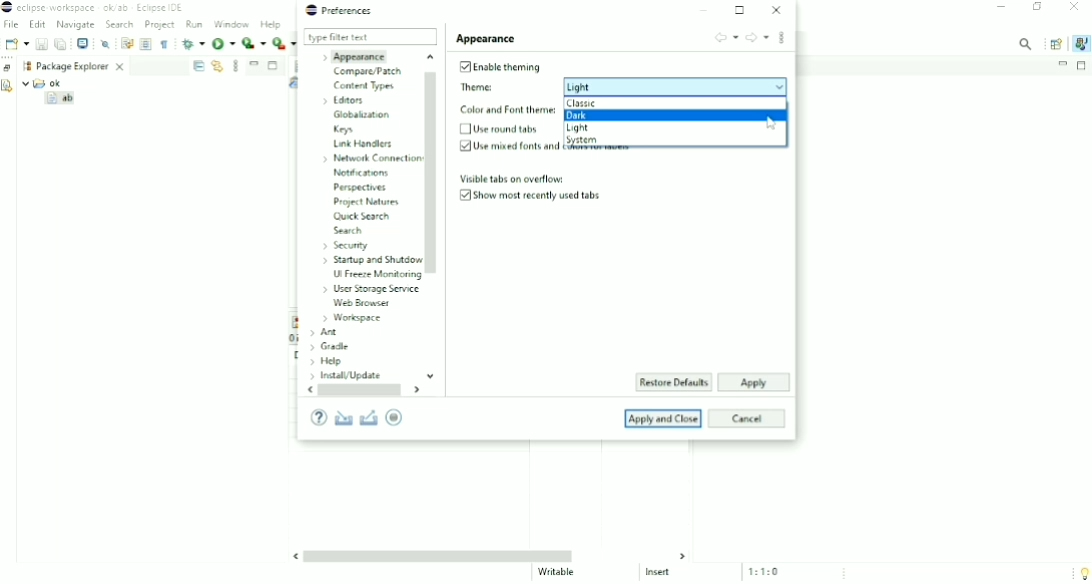 The height and width of the screenshot is (584, 1092). What do you see at coordinates (1055, 43) in the screenshot?
I see `Open Perspective` at bounding box center [1055, 43].